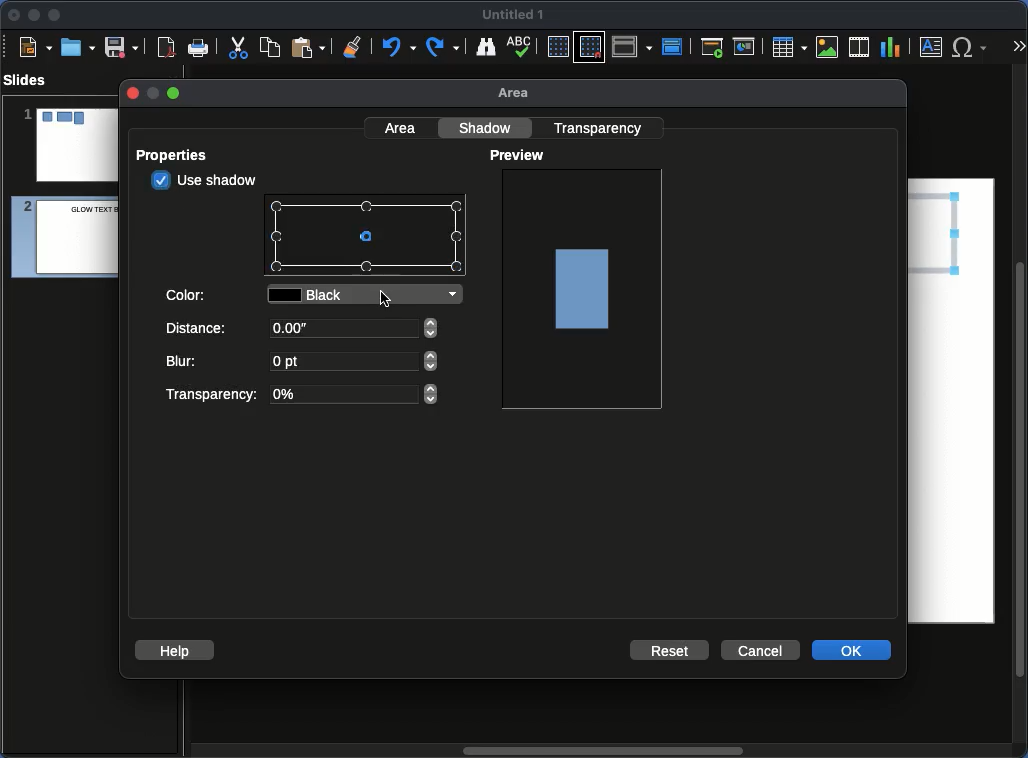 The width and height of the screenshot is (1028, 758). Describe the element at coordinates (557, 48) in the screenshot. I see `Display grid` at that location.